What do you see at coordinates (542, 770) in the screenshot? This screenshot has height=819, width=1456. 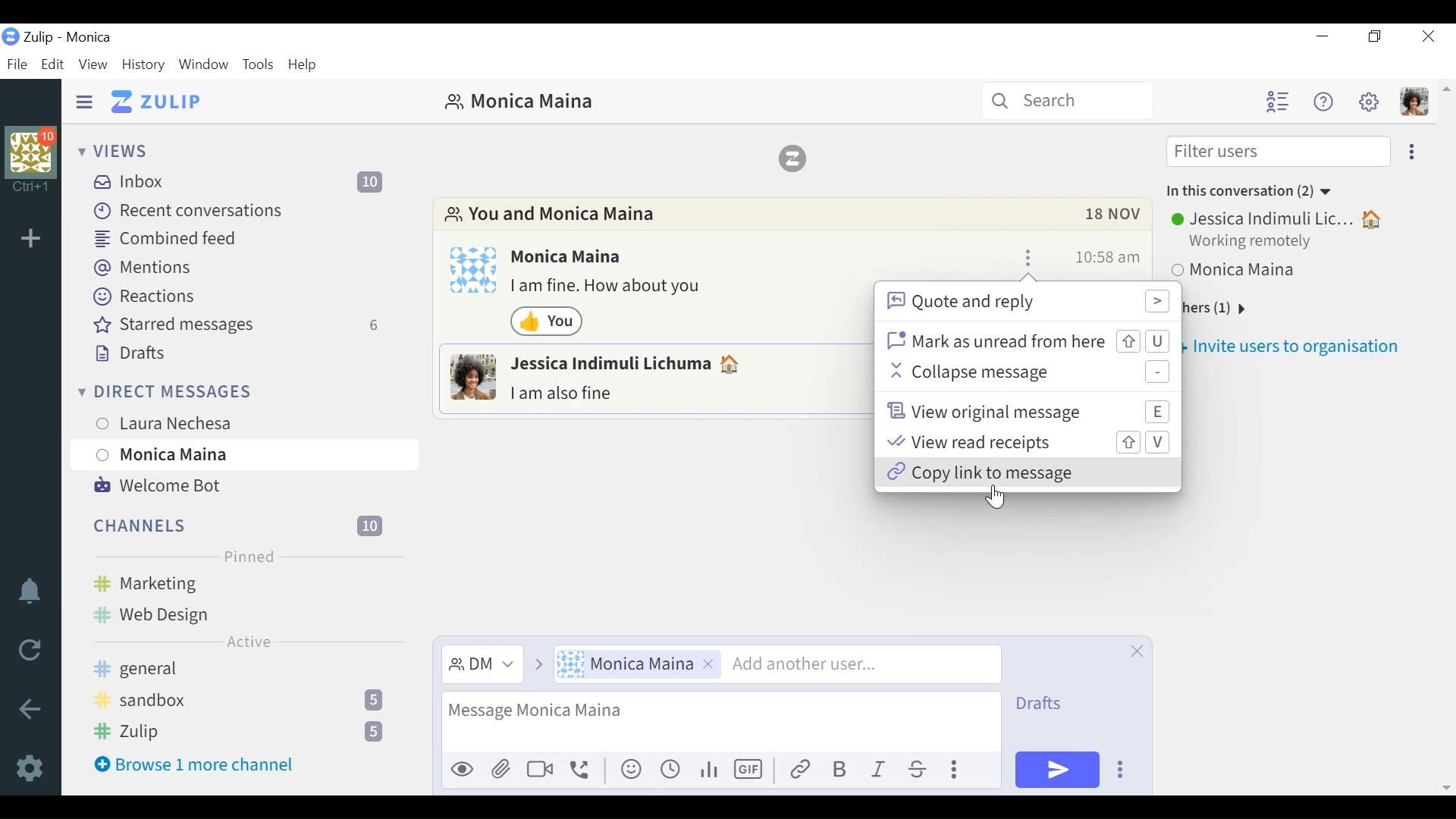 I see `` at bounding box center [542, 770].